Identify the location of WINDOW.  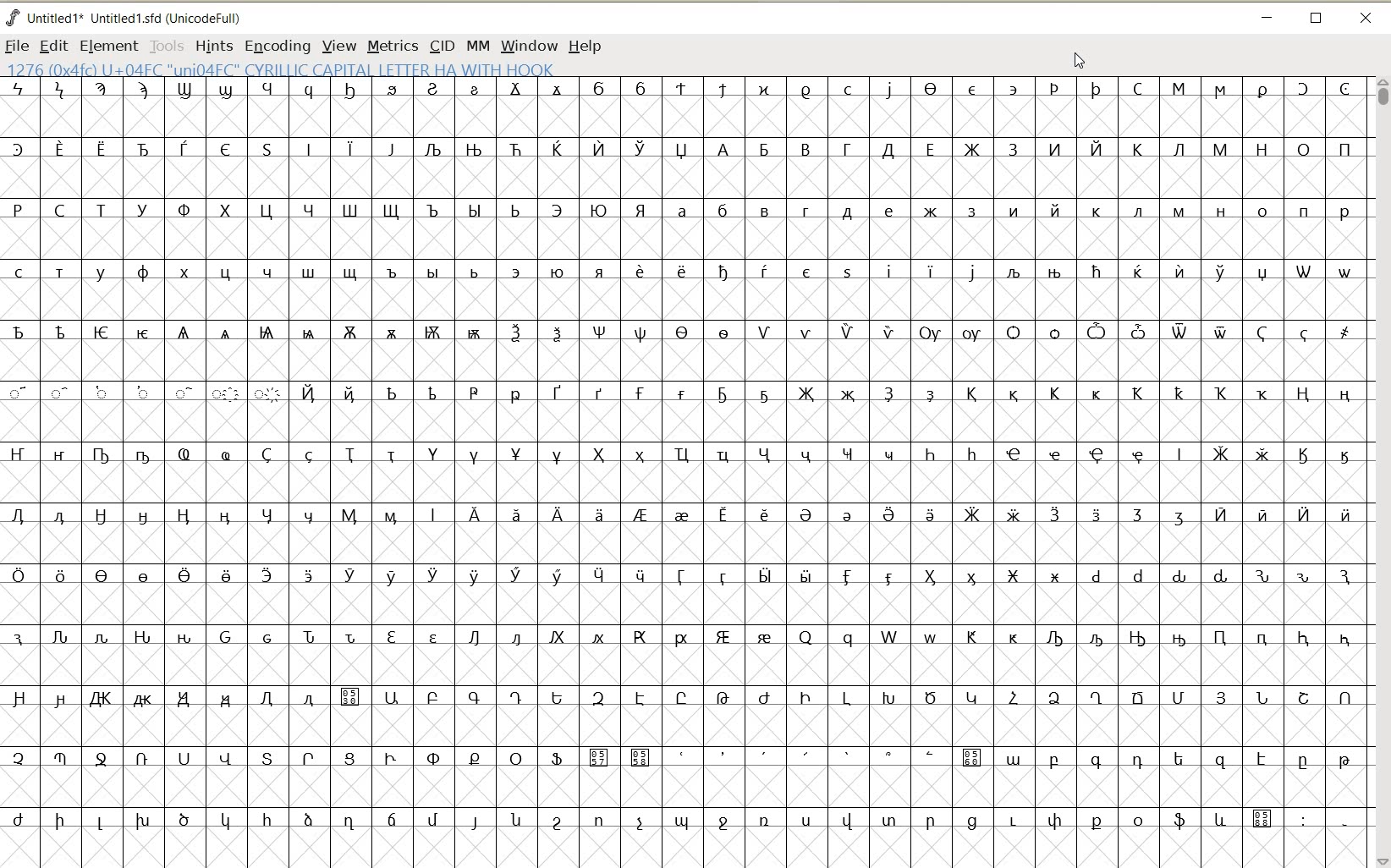
(529, 45).